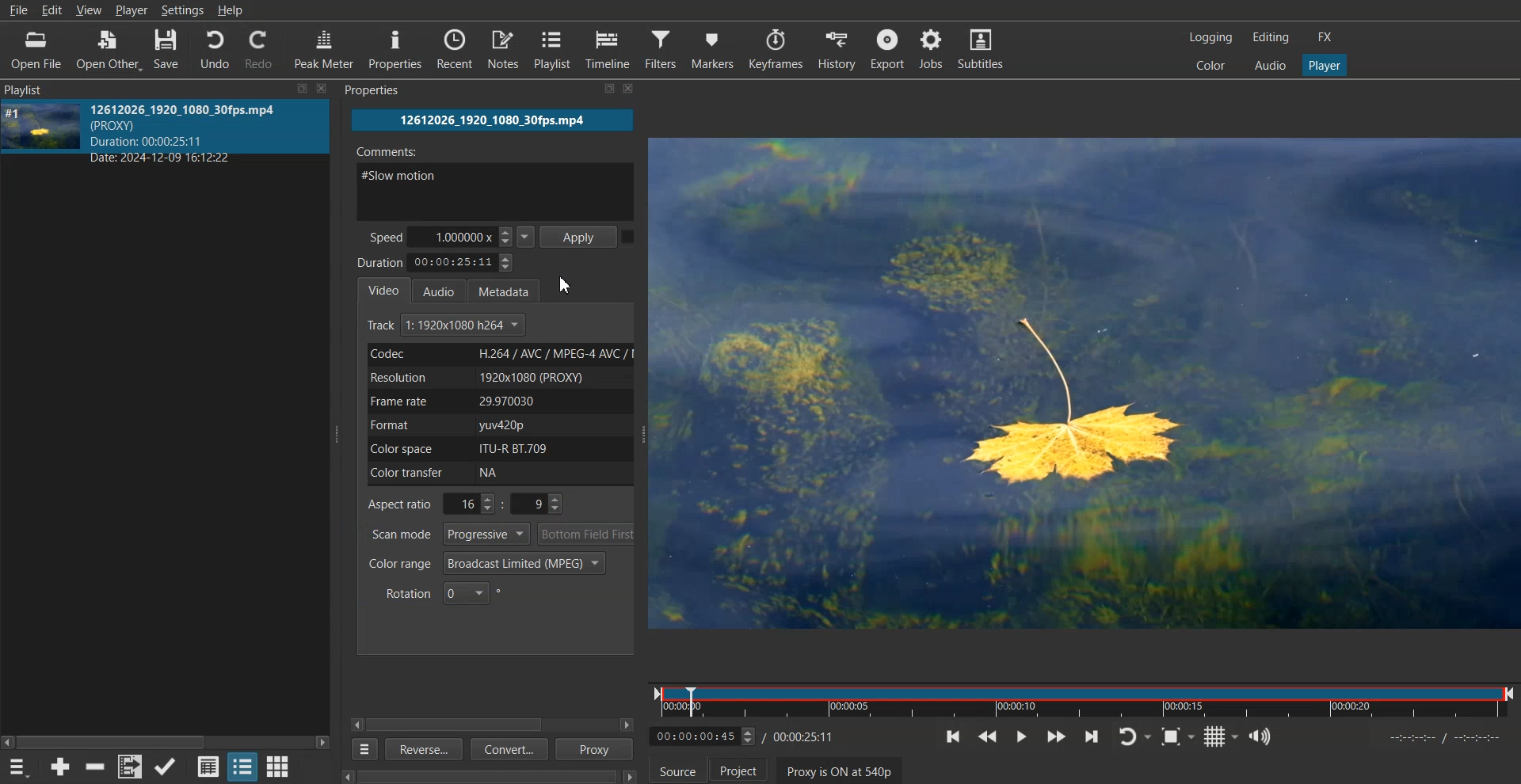 Image resolution: width=1521 pixels, height=784 pixels. I want to click on playlist, so click(41, 89).